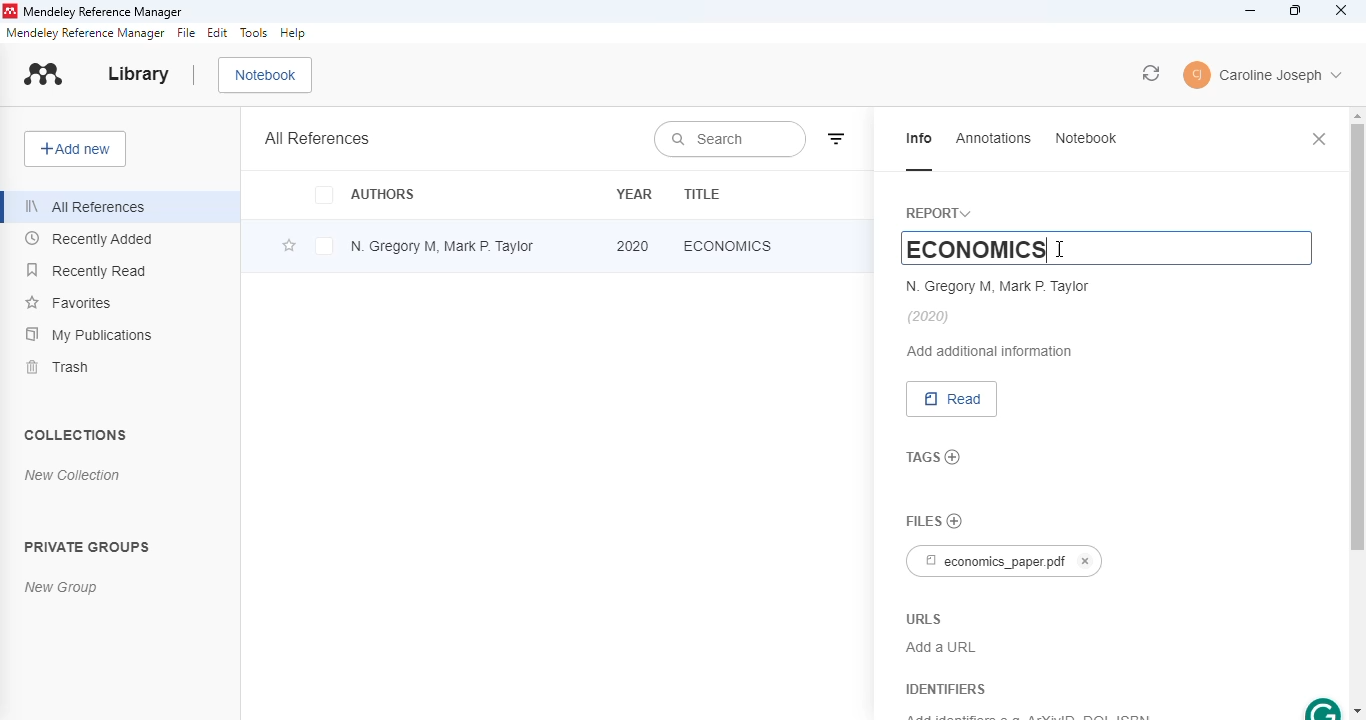 Image resolution: width=1366 pixels, height=720 pixels. Describe the element at coordinates (74, 148) in the screenshot. I see `add new` at that location.